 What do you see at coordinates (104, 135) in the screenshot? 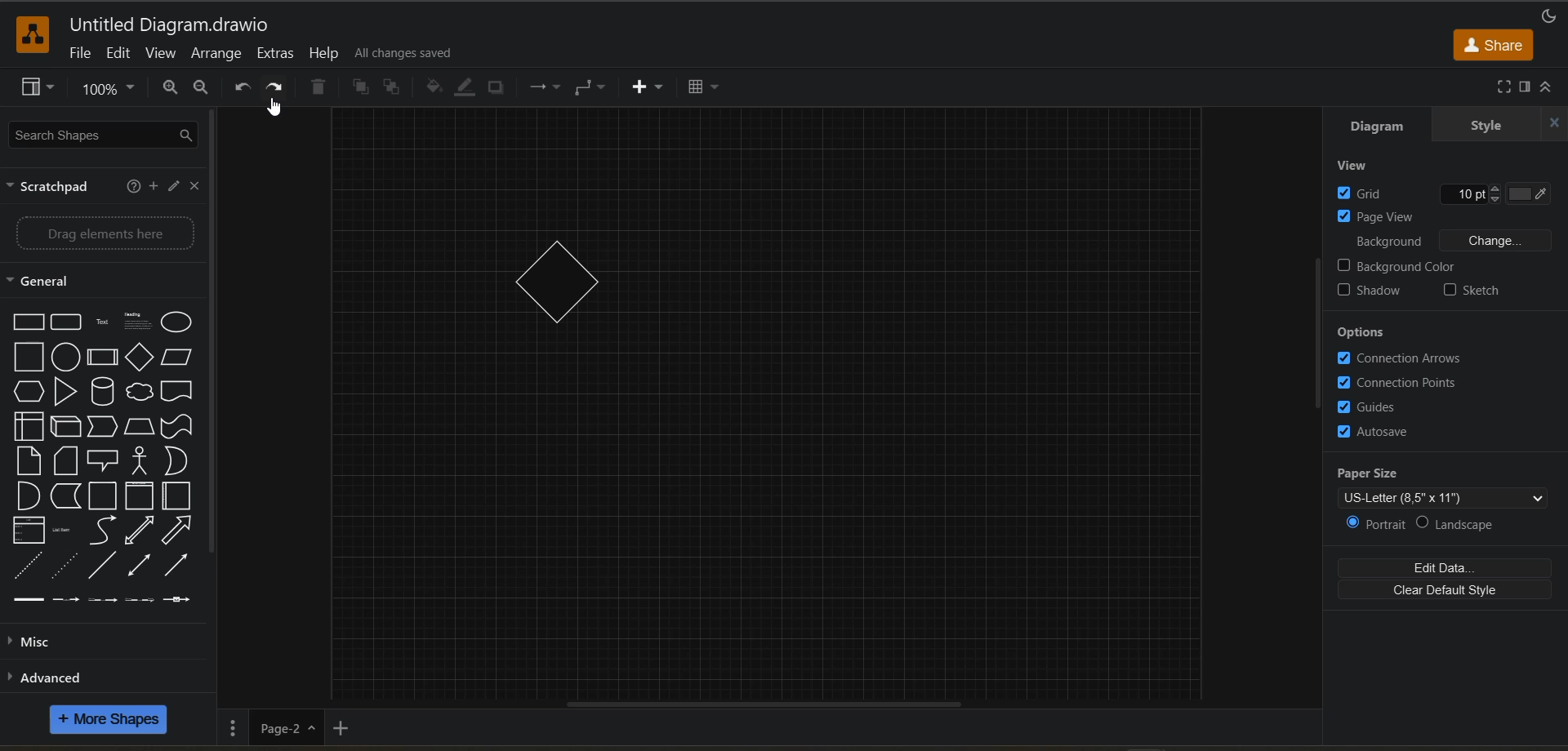
I see `search shapes` at bounding box center [104, 135].